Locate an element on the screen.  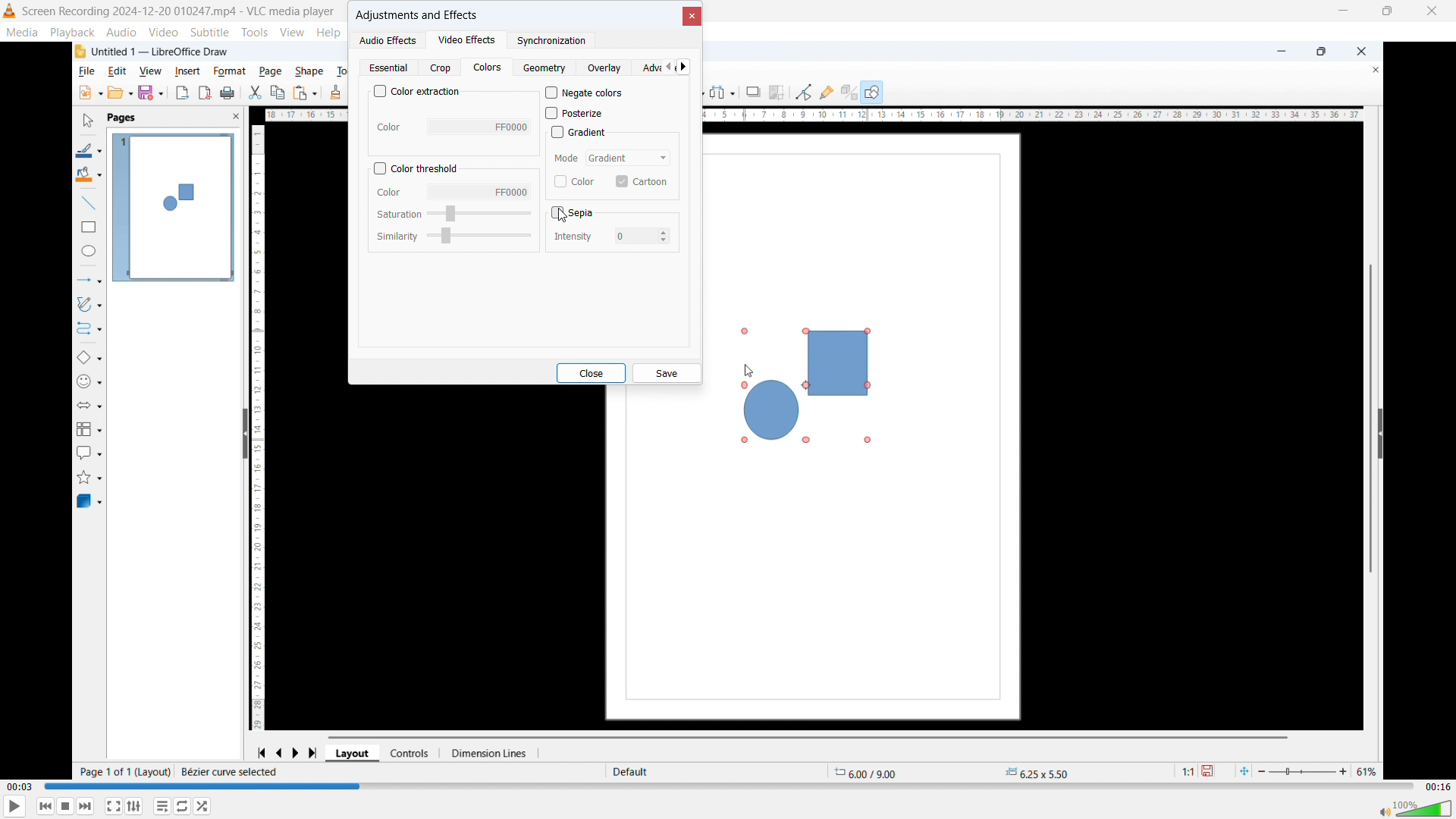
close Dialogue box  is located at coordinates (693, 17).